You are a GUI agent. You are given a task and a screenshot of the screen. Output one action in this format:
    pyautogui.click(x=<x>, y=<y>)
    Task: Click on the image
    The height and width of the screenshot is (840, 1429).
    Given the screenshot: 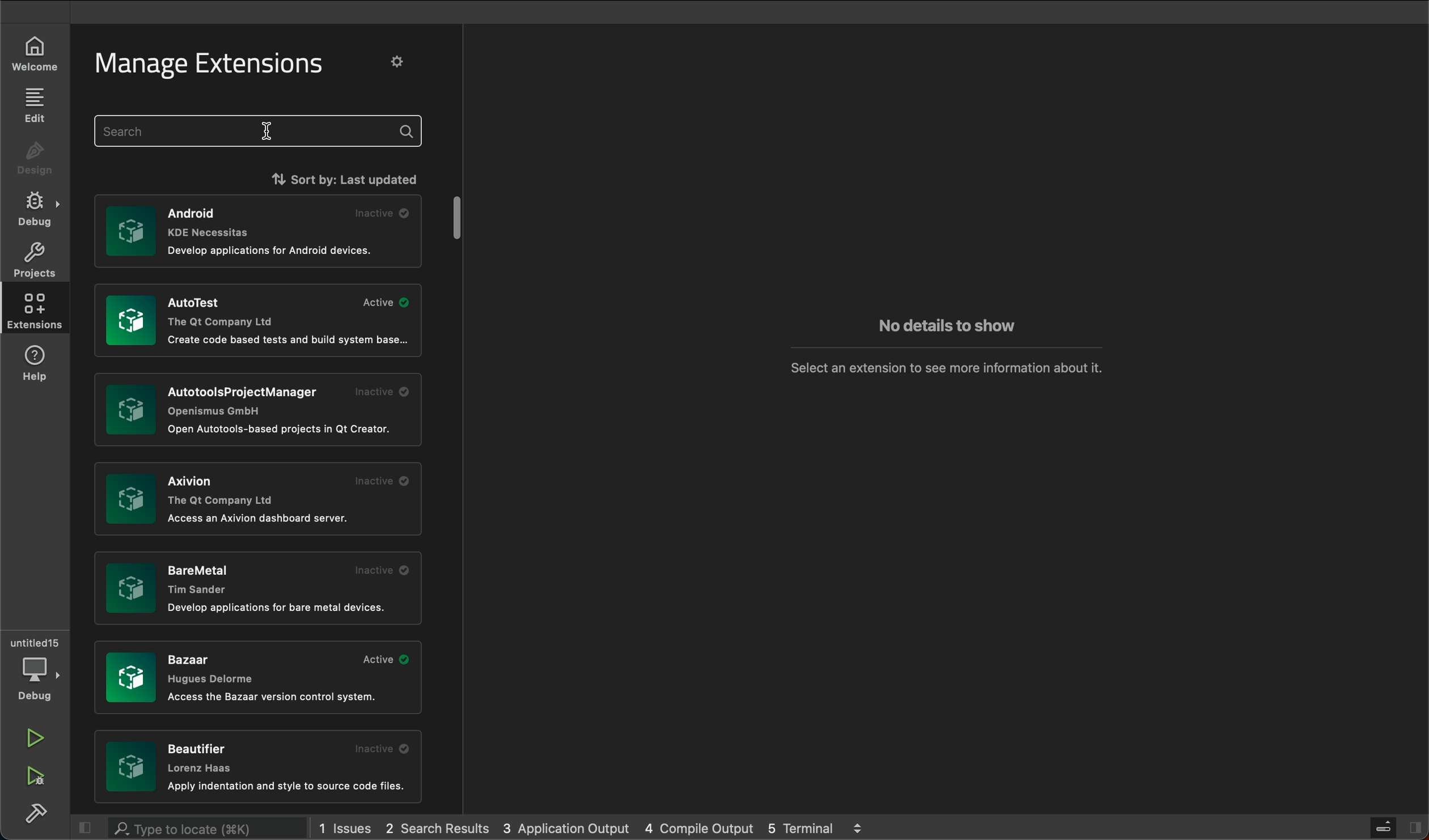 What is the action you would take?
    pyautogui.click(x=130, y=587)
    